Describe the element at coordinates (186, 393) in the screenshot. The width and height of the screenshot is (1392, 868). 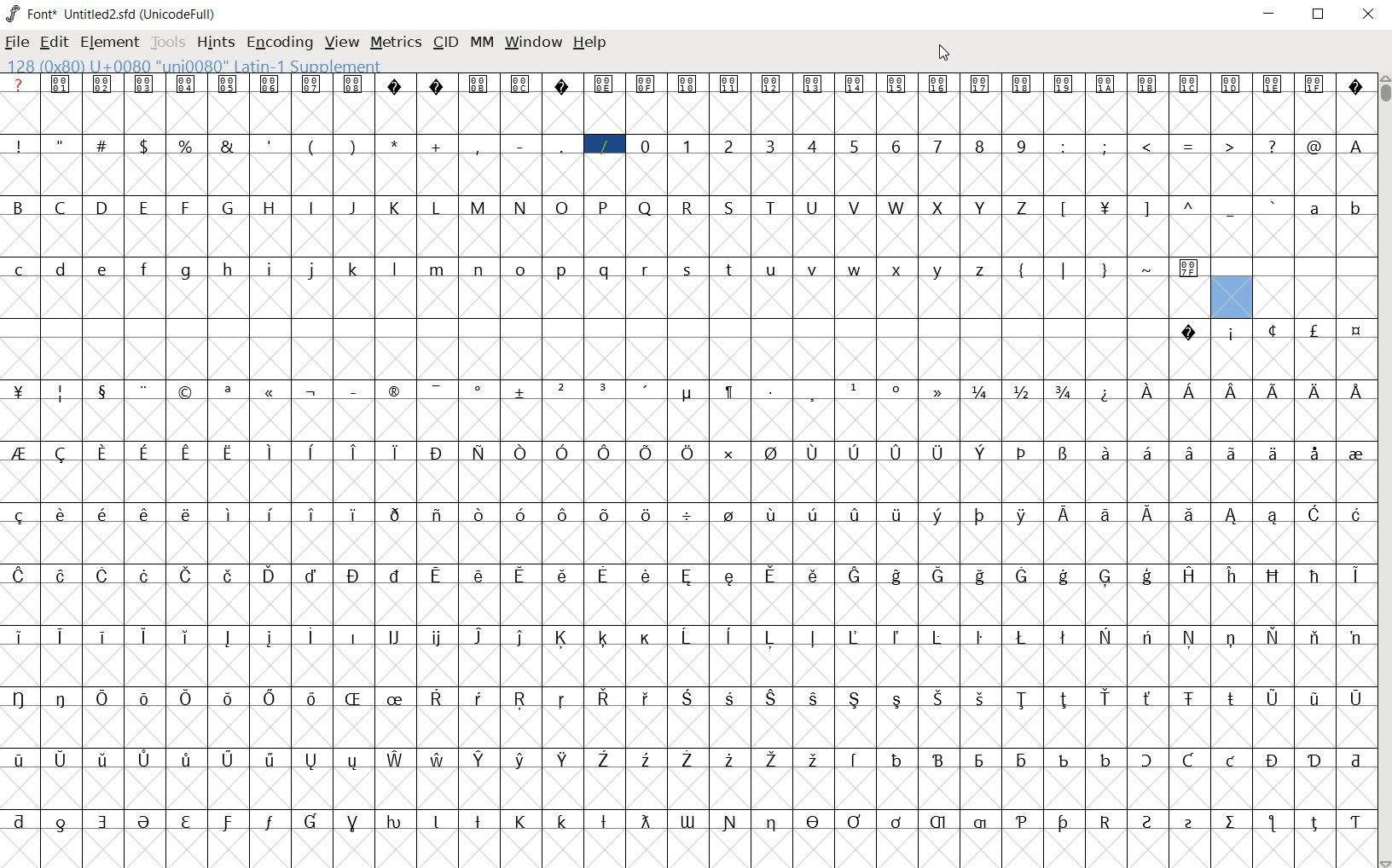
I see `glyph` at that location.